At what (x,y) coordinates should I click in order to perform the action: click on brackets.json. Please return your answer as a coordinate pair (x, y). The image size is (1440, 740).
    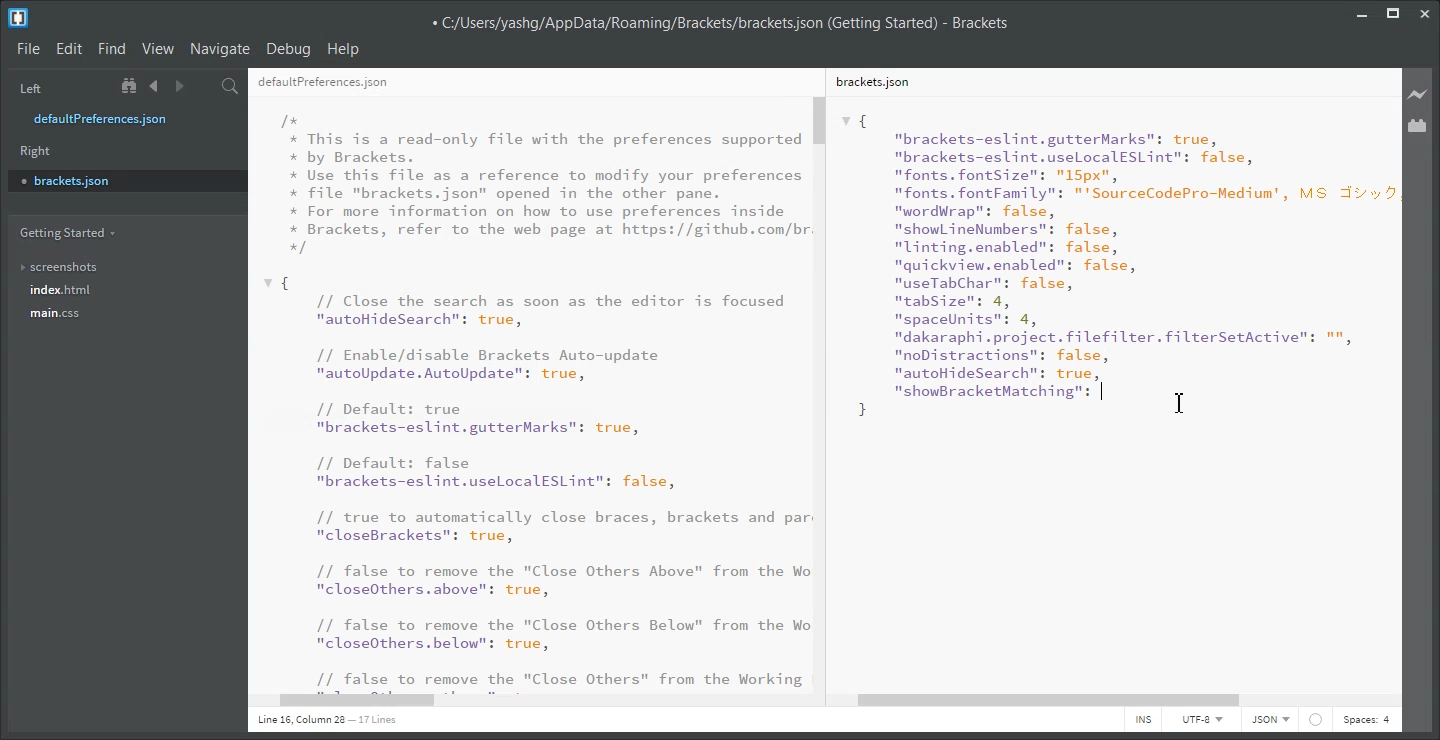
    Looking at the image, I should click on (125, 180).